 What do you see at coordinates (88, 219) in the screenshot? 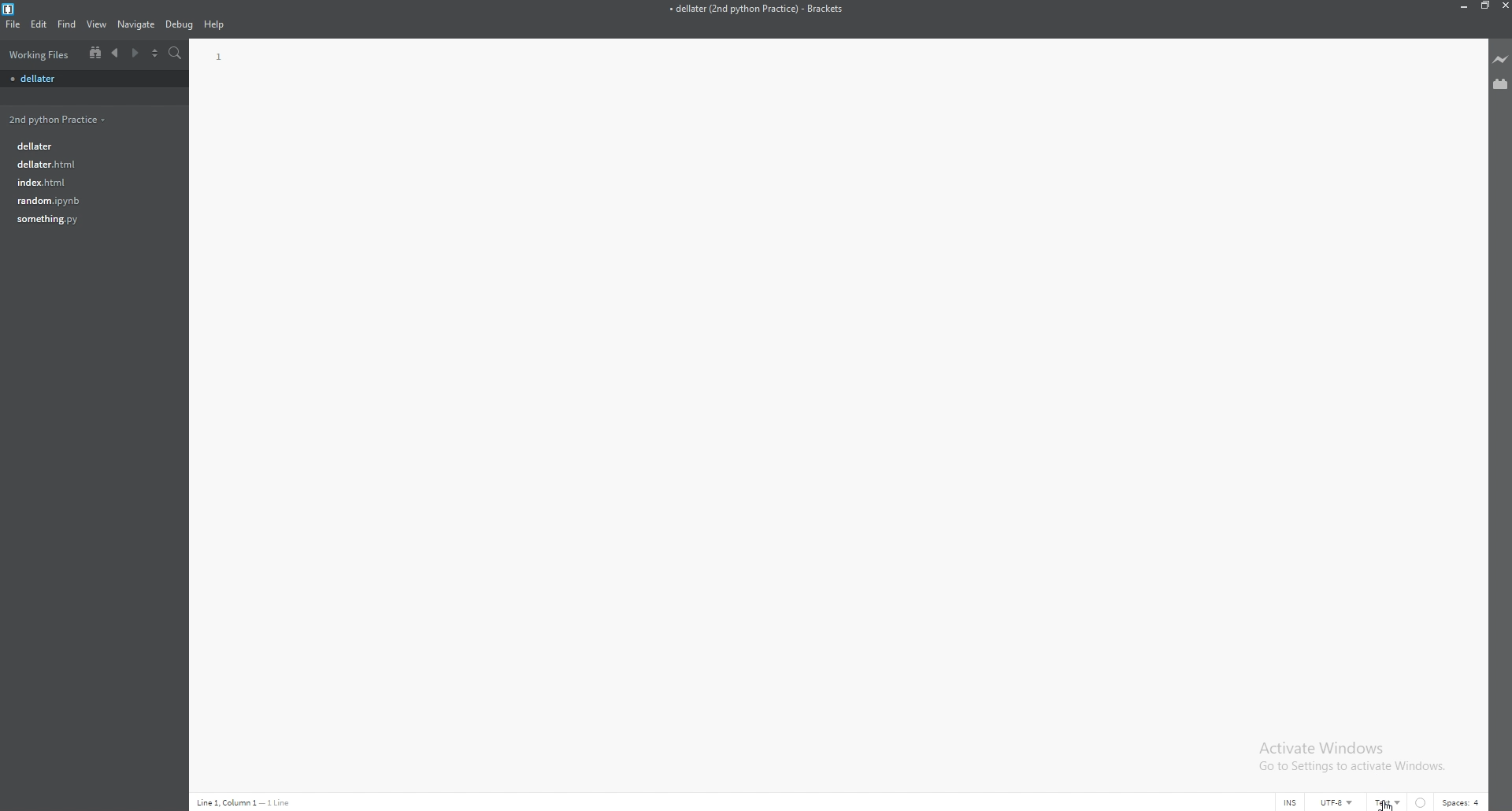
I see `file` at bounding box center [88, 219].